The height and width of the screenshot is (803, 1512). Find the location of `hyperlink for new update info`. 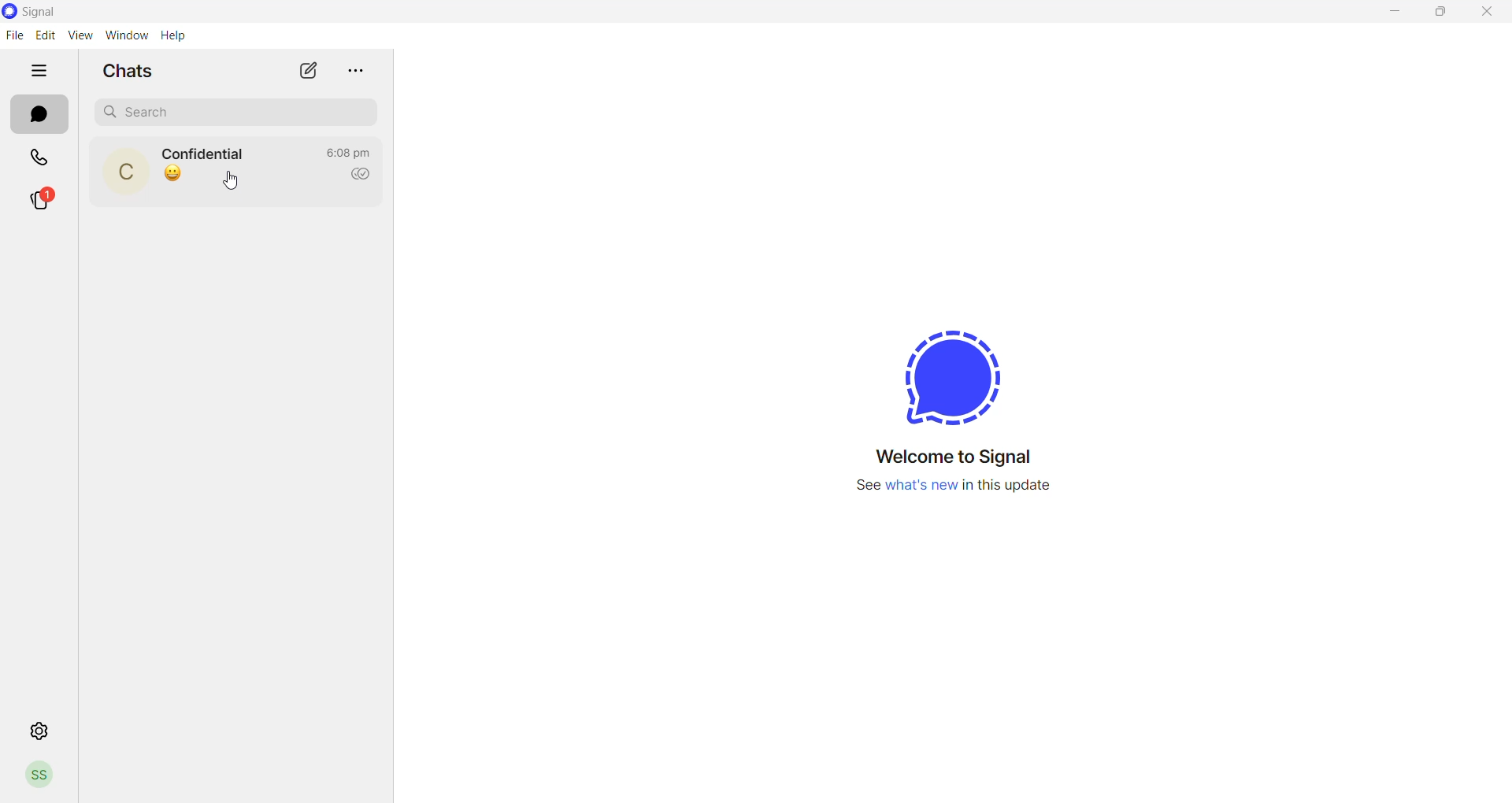

hyperlink for new update info is located at coordinates (947, 489).